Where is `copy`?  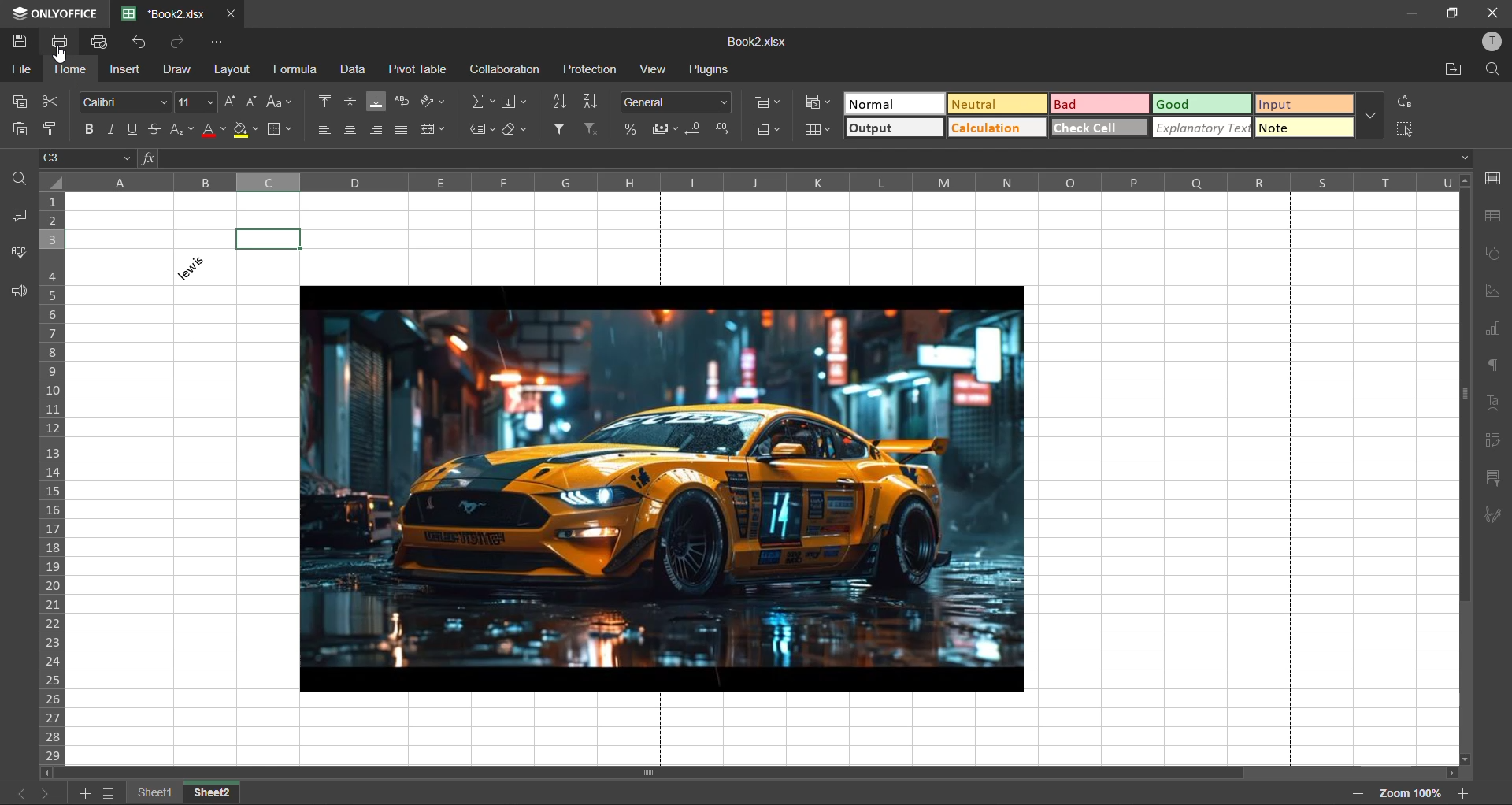
copy is located at coordinates (26, 101).